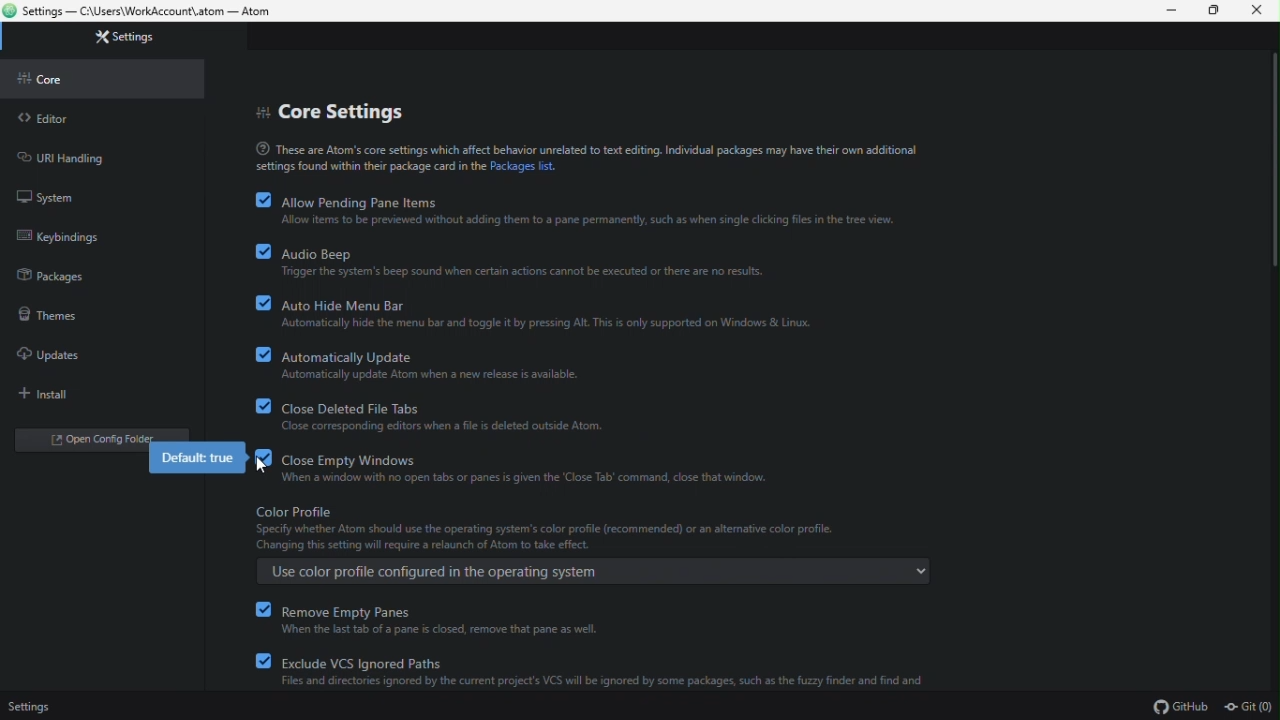 This screenshot has height=720, width=1280. Describe the element at coordinates (78, 157) in the screenshot. I see `URL handling` at that location.